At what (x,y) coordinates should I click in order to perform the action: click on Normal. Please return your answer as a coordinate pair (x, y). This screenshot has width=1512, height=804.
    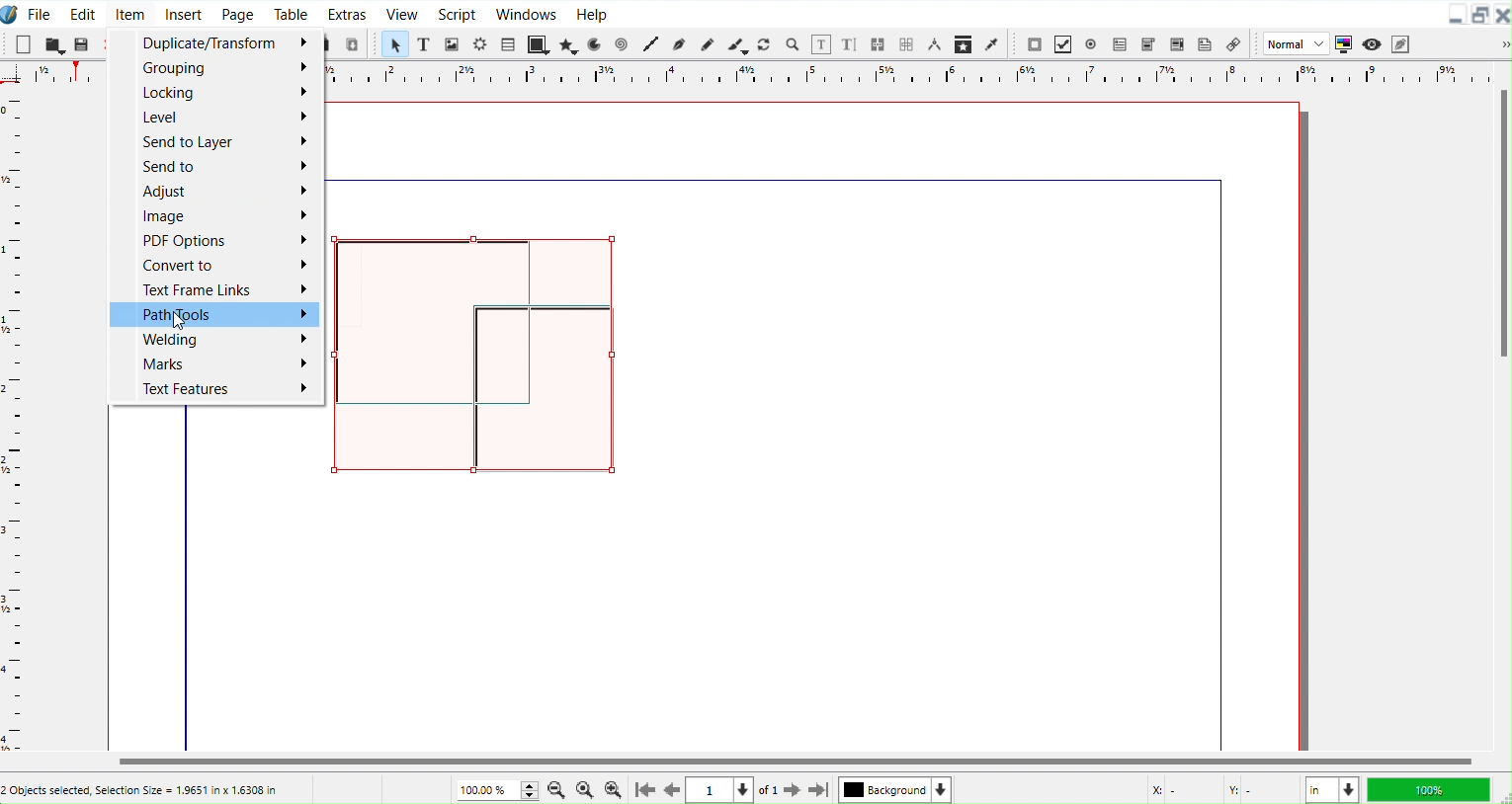
    Looking at the image, I should click on (1294, 43).